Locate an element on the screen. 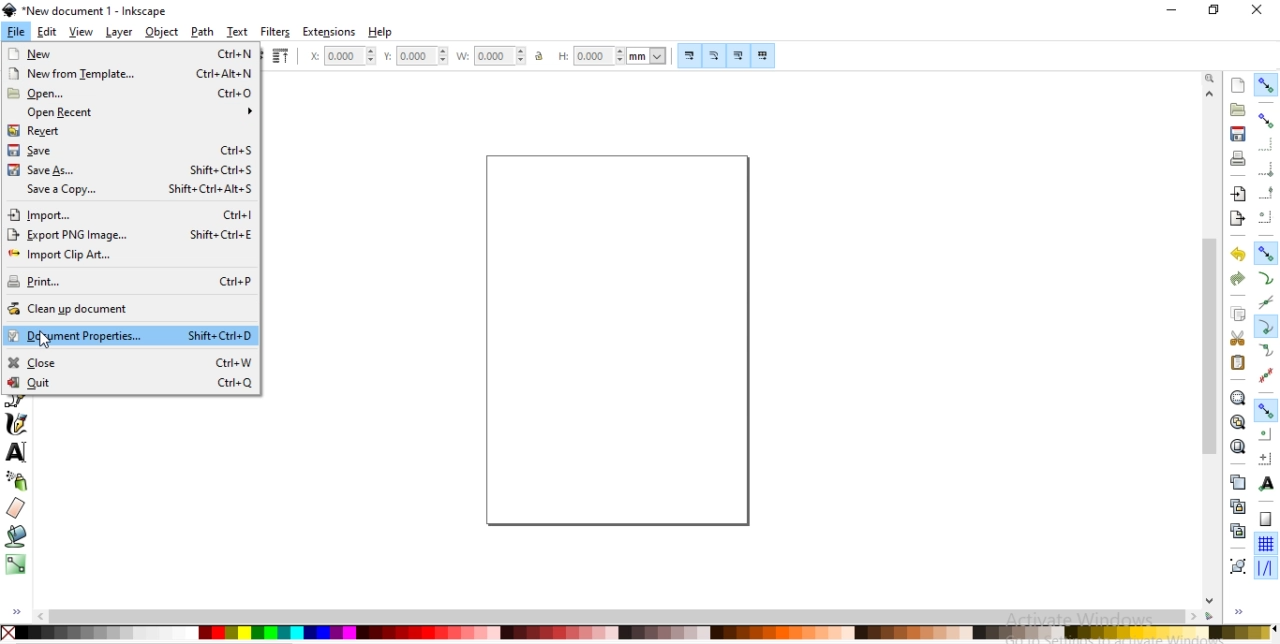  close  is located at coordinates (128, 361).